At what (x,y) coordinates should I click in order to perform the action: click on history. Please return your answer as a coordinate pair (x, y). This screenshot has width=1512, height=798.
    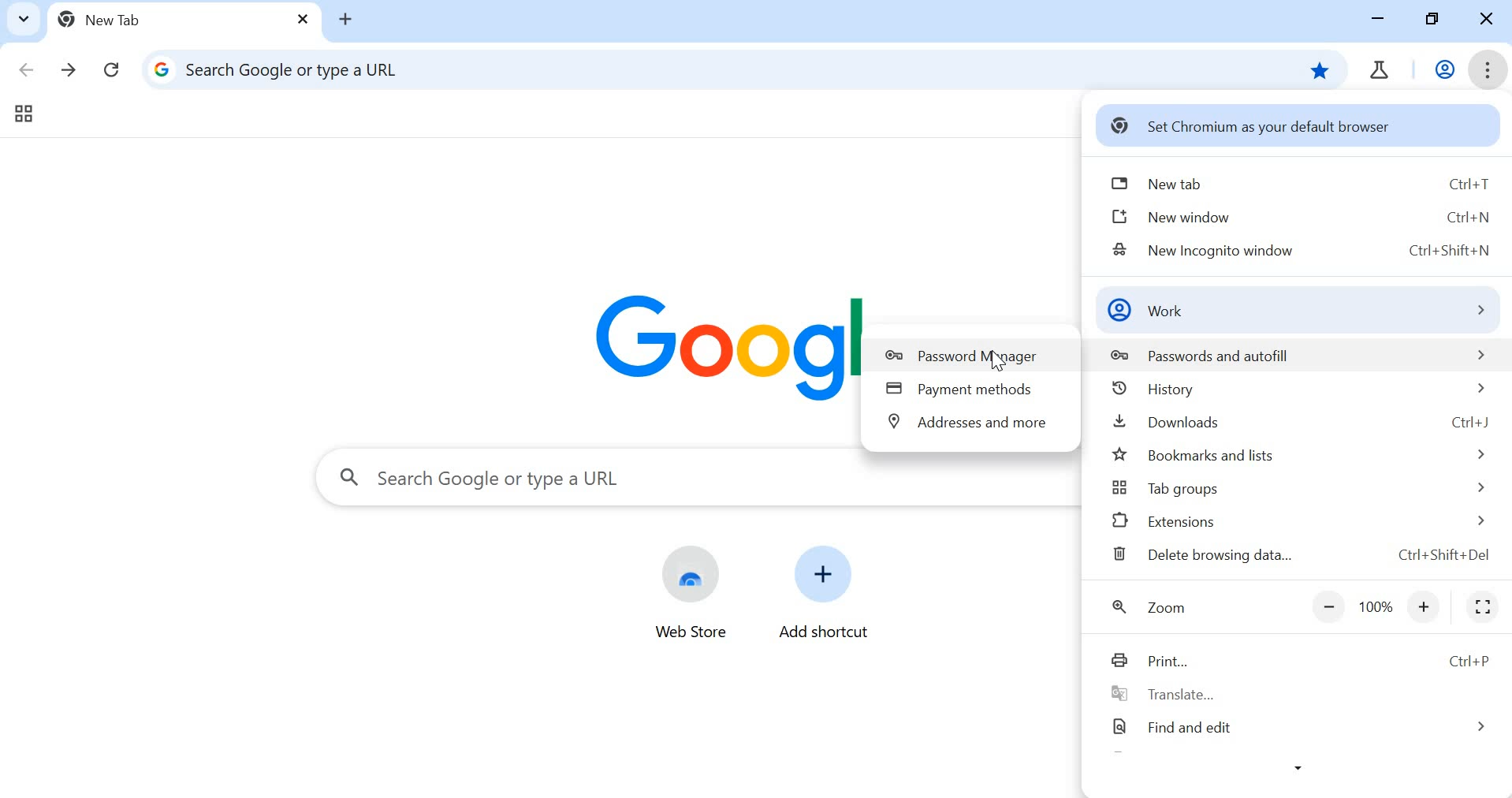
    Looking at the image, I should click on (1299, 390).